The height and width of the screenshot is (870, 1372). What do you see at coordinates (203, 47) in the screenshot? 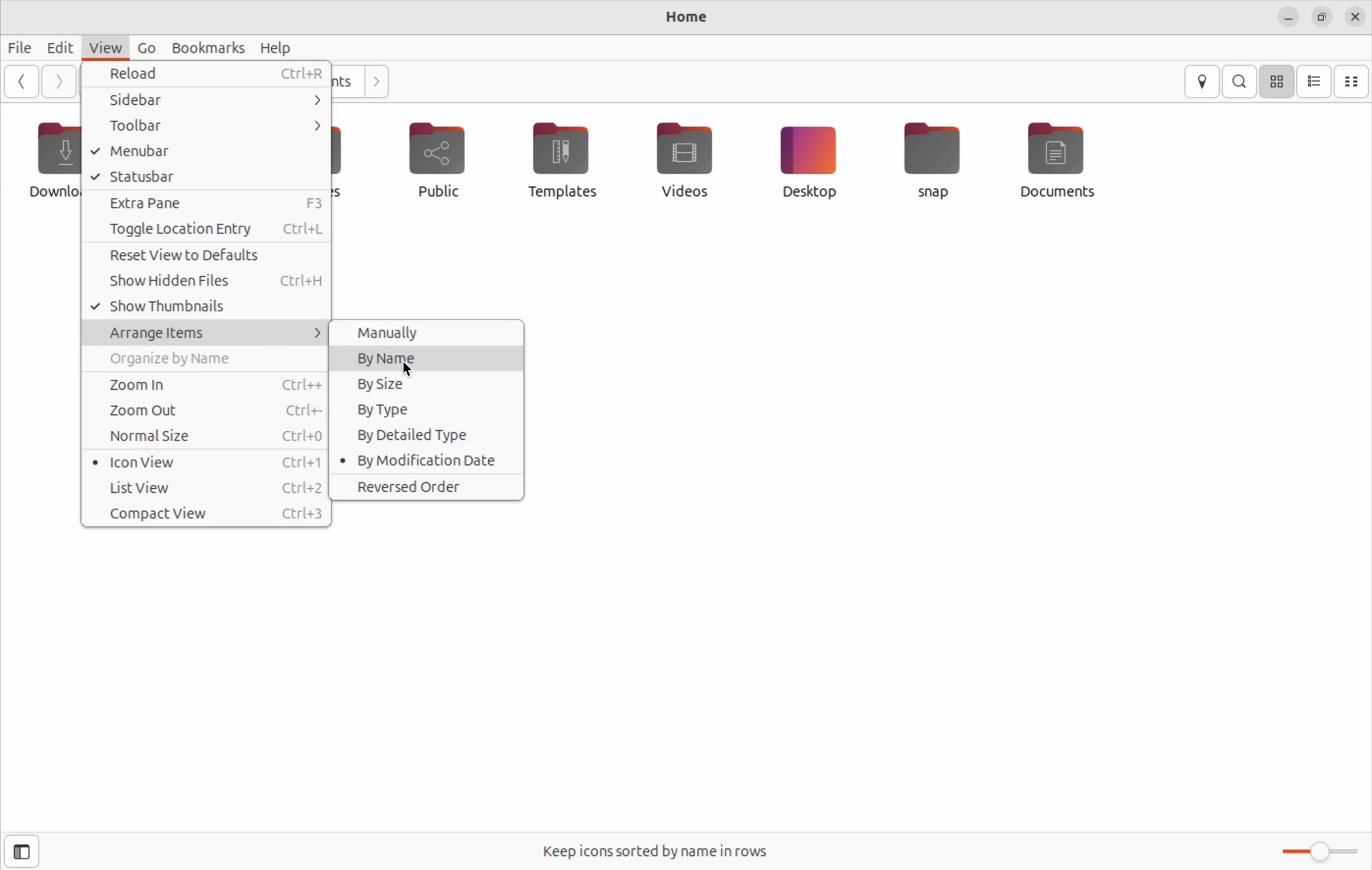
I see `Bookmarks` at bounding box center [203, 47].